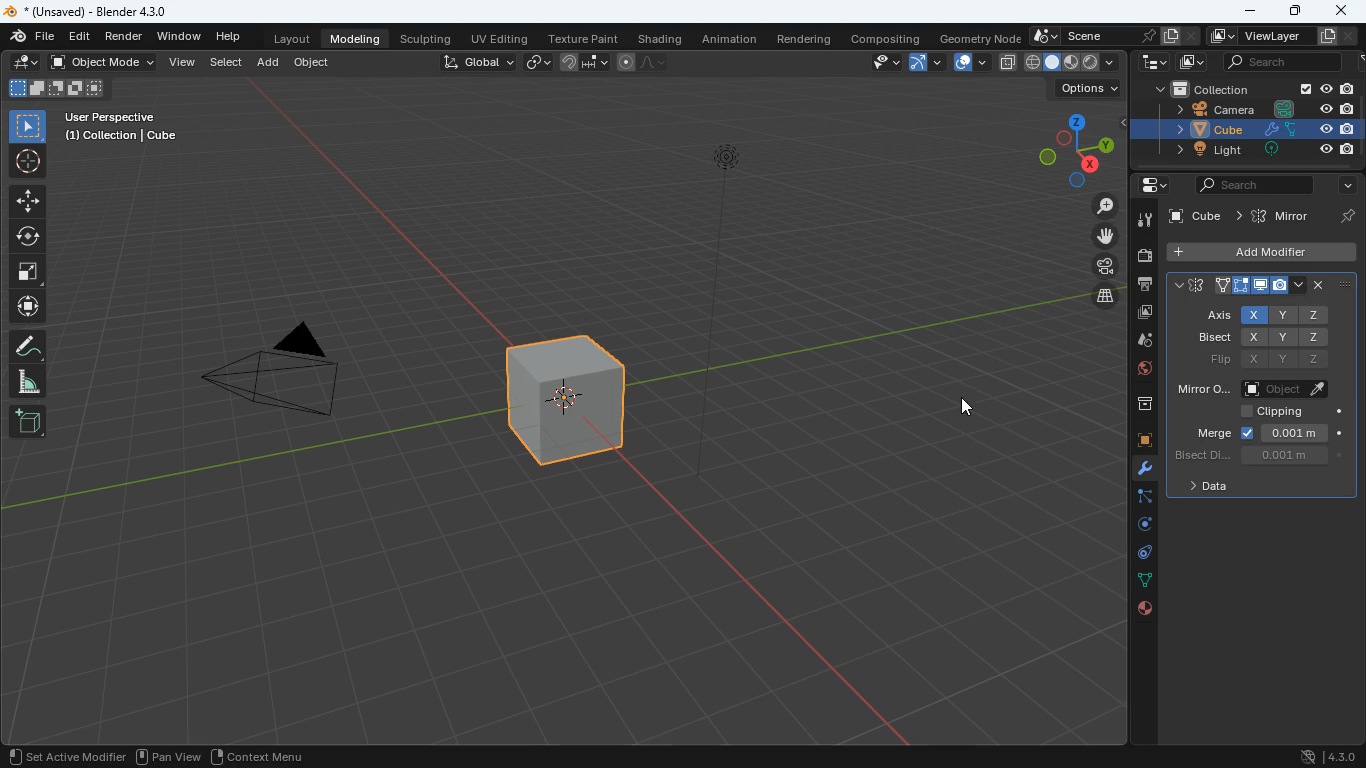  Describe the element at coordinates (23, 274) in the screenshot. I see `fullscreen` at that location.